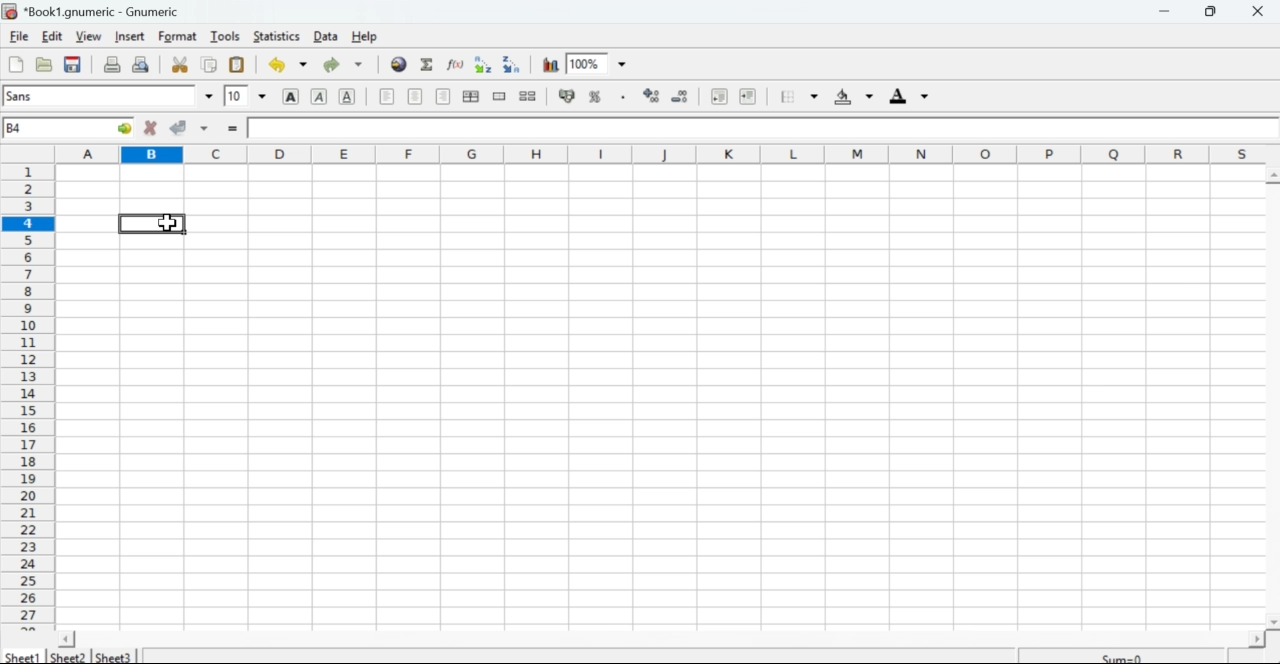 The width and height of the screenshot is (1280, 664). What do you see at coordinates (443, 96) in the screenshot?
I see `Align right` at bounding box center [443, 96].